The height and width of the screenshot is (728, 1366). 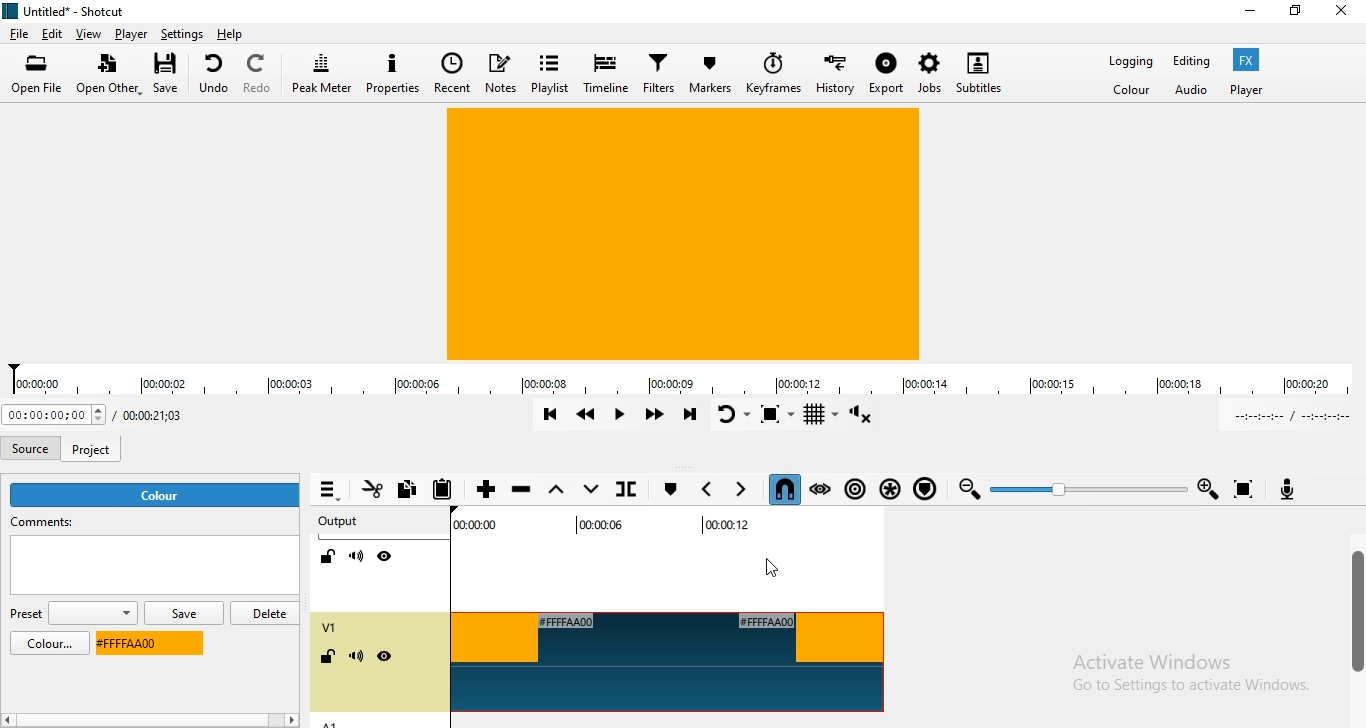 What do you see at coordinates (153, 569) in the screenshot?
I see `empty box` at bounding box center [153, 569].